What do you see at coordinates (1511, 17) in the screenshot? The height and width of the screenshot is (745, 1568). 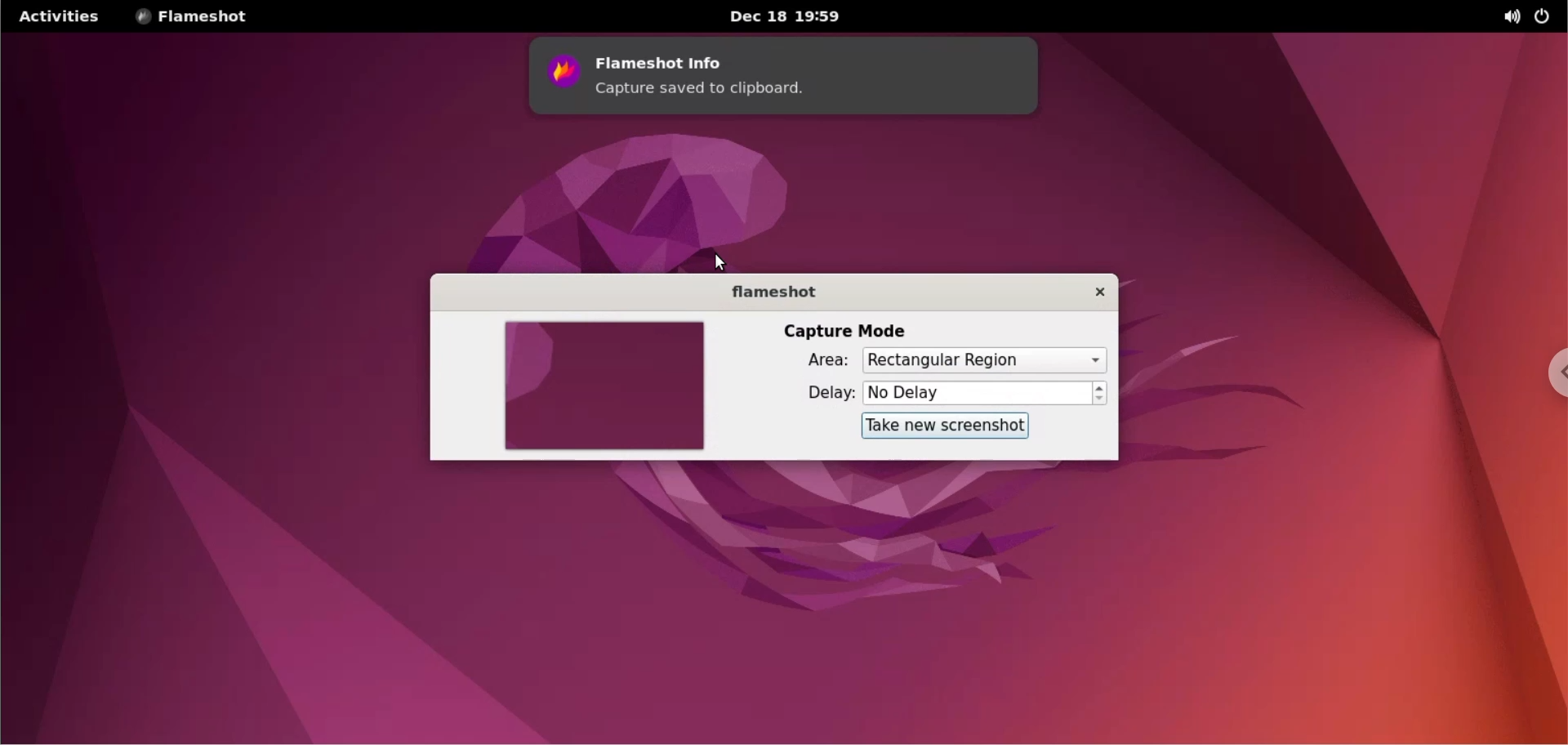 I see `sound options ` at bounding box center [1511, 17].